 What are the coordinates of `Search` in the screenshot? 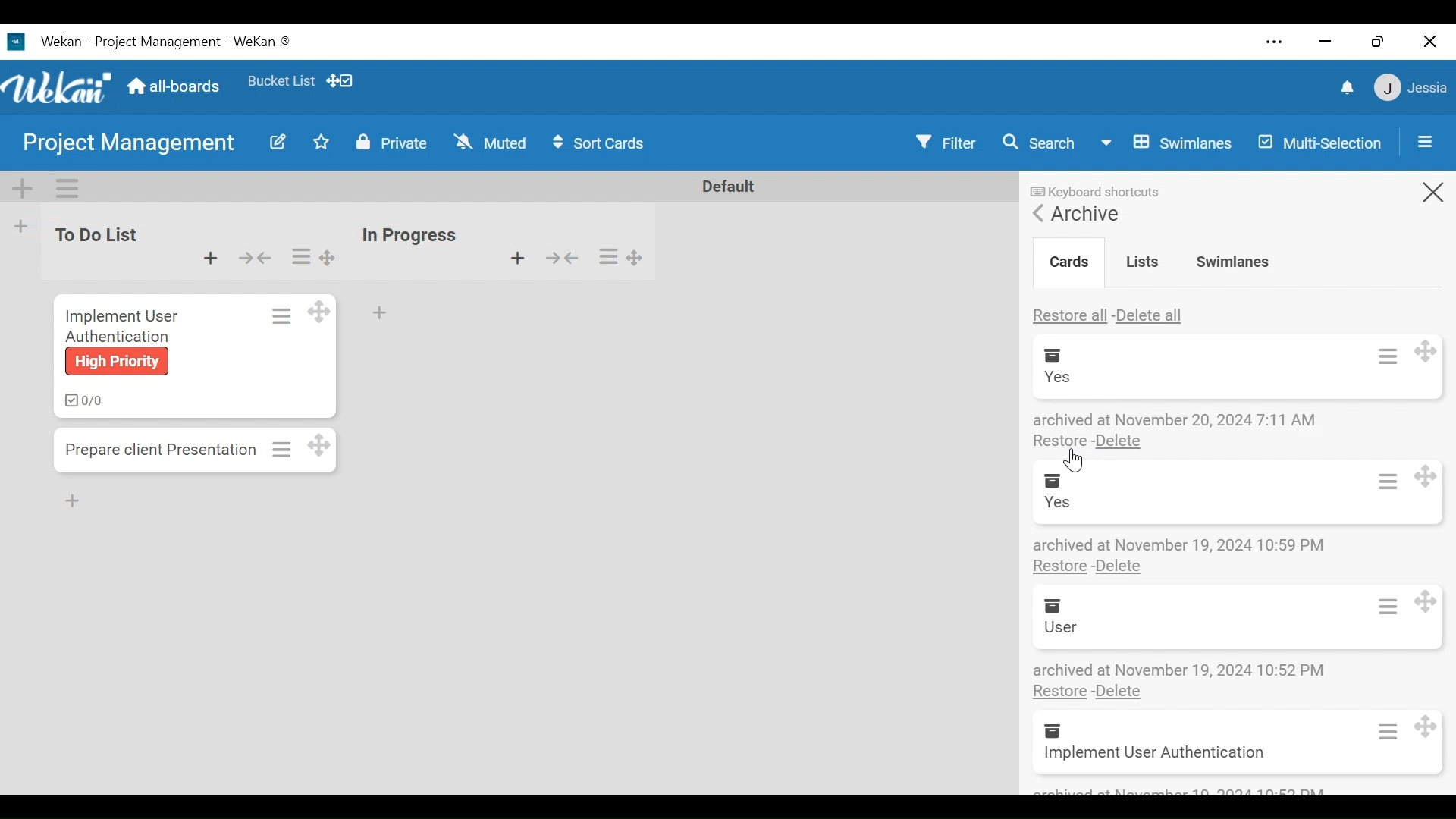 It's located at (1038, 141).